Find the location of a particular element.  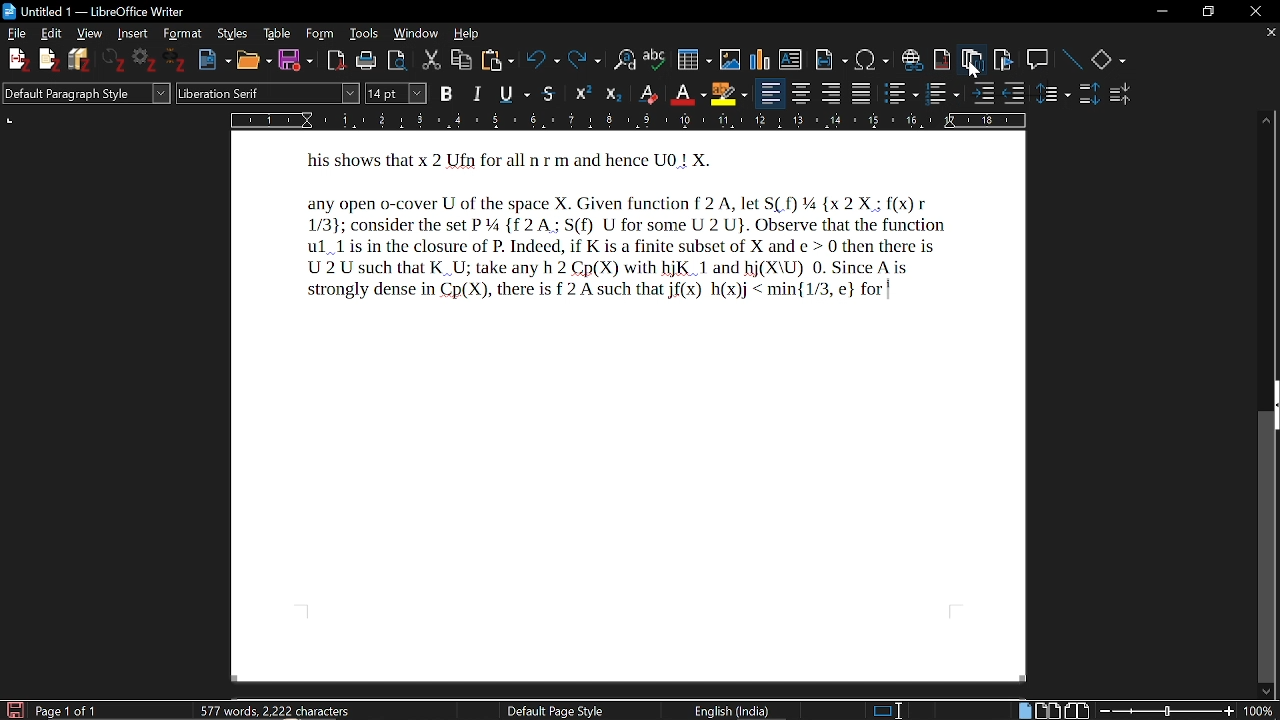

Highlight is located at coordinates (732, 94).